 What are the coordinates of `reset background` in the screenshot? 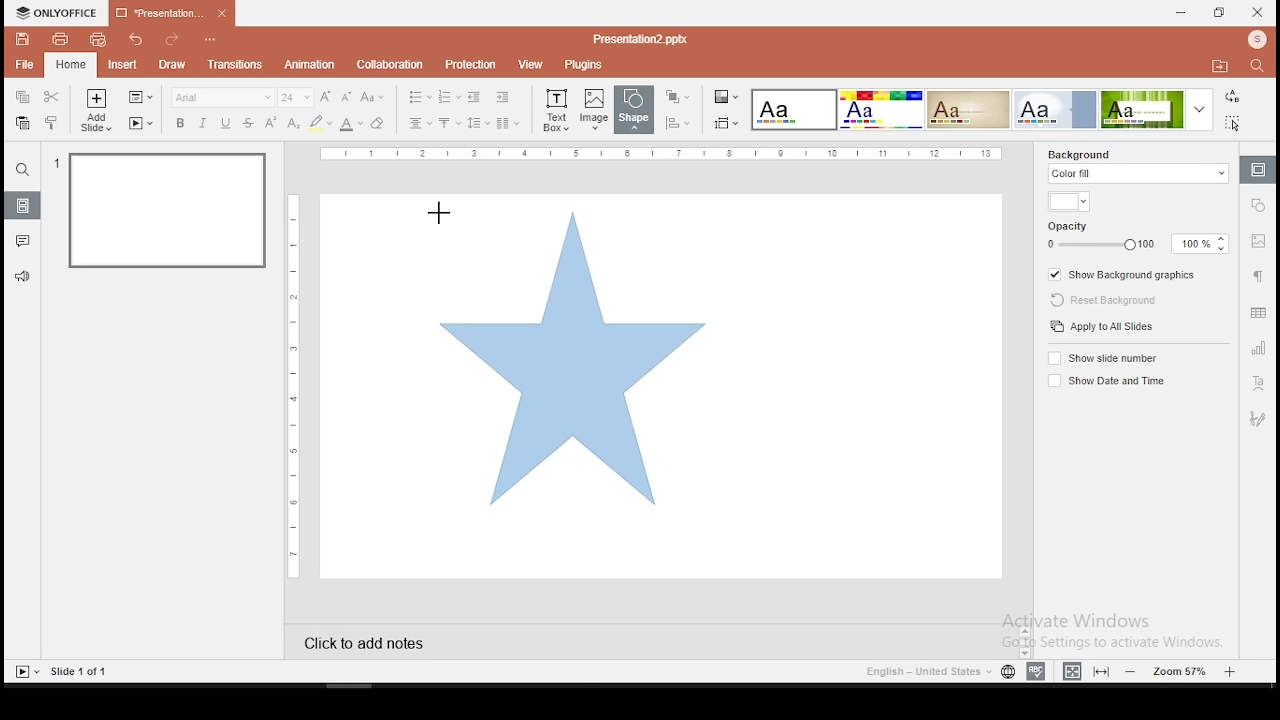 It's located at (1098, 297).